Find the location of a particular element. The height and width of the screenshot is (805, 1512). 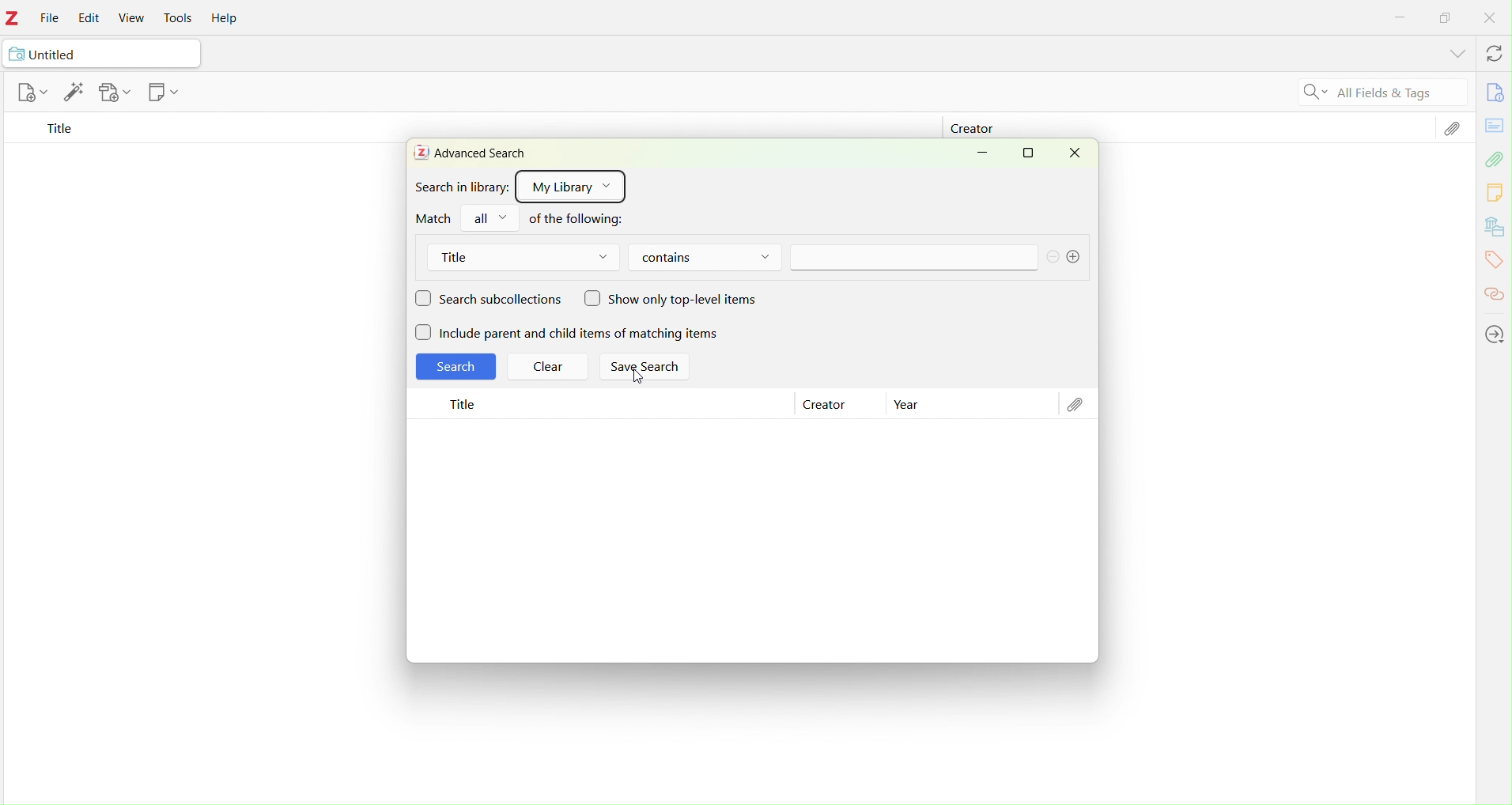

Edit is located at coordinates (92, 19).